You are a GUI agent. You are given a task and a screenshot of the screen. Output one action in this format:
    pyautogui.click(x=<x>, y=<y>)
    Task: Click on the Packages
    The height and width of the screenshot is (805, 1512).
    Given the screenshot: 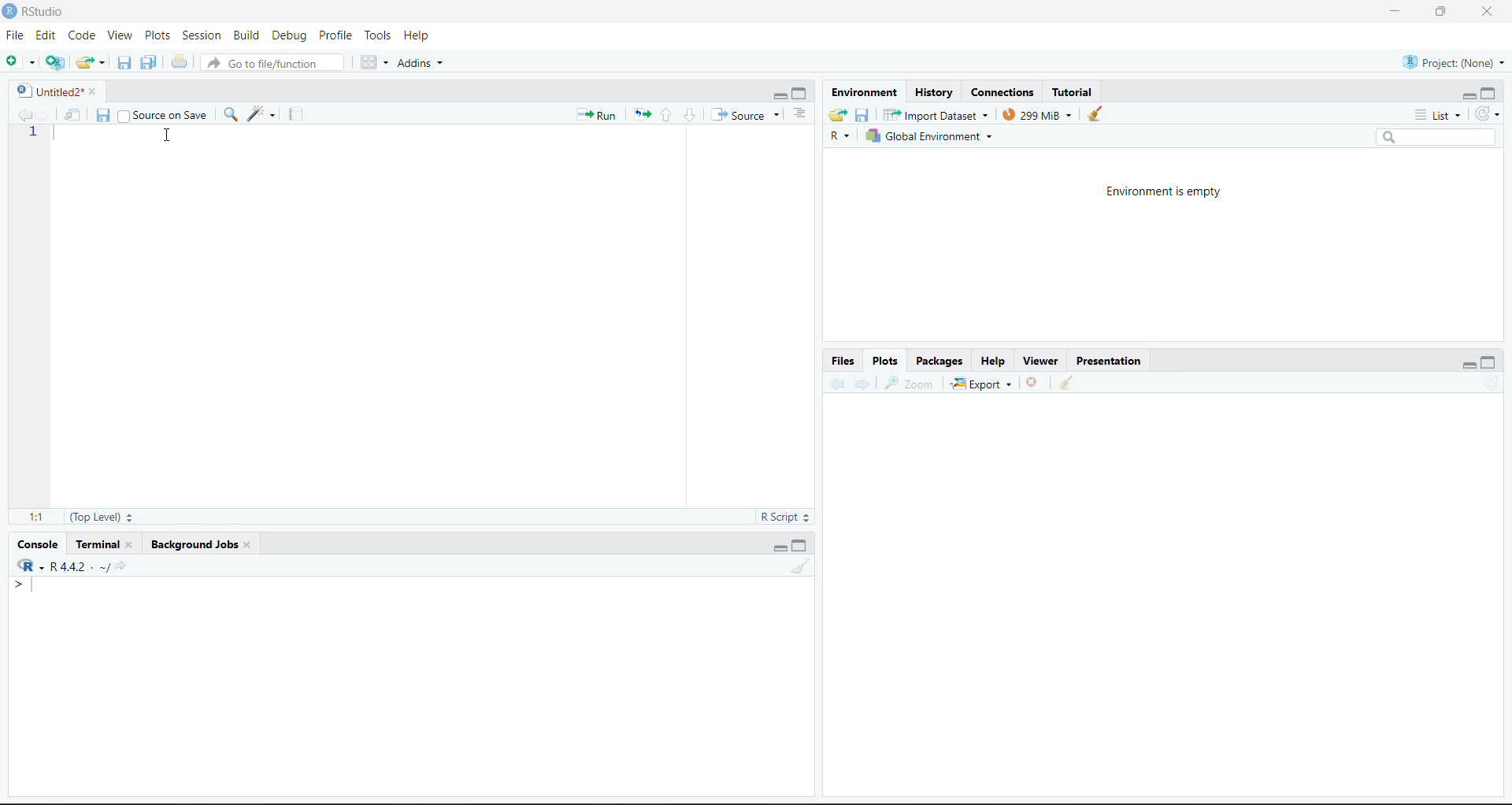 What is the action you would take?
    pyautogui.click(x=940, y=360)
    